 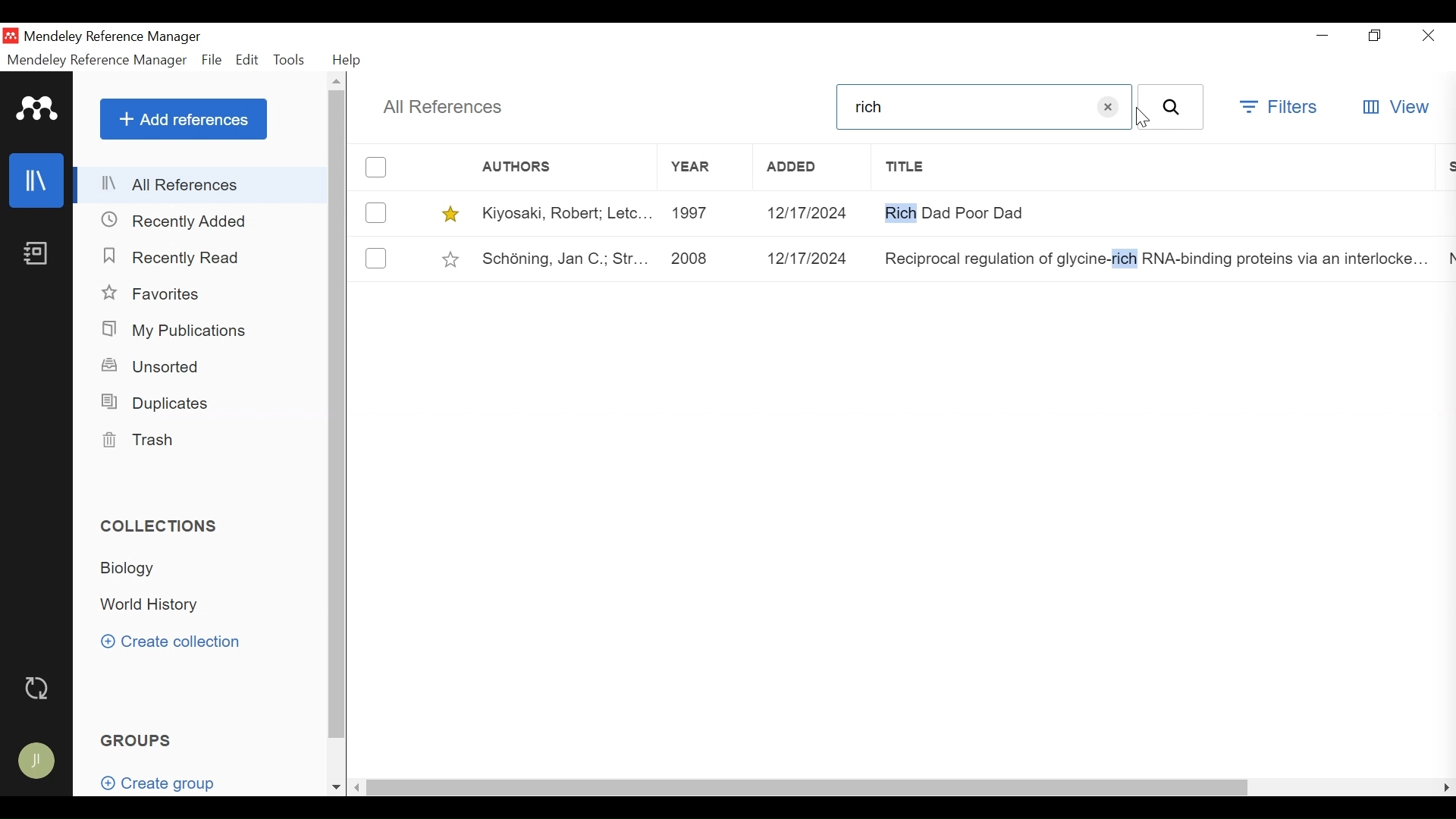 What do you see at coordinates (11, 36) in the screenshot?
I see `Mendeley Desktop Icon` at bounding box center [11, 36].